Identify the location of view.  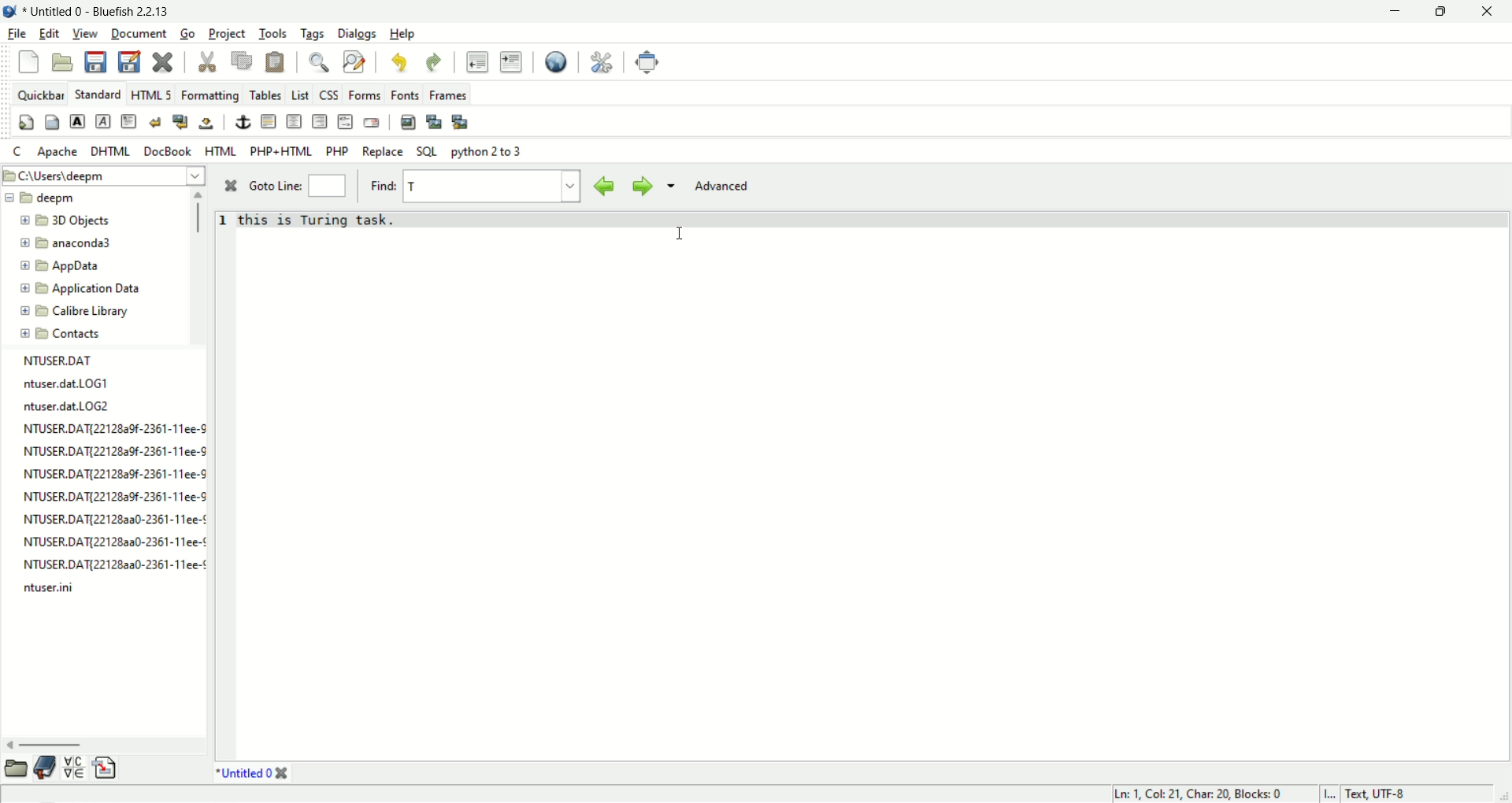
(84, 34).